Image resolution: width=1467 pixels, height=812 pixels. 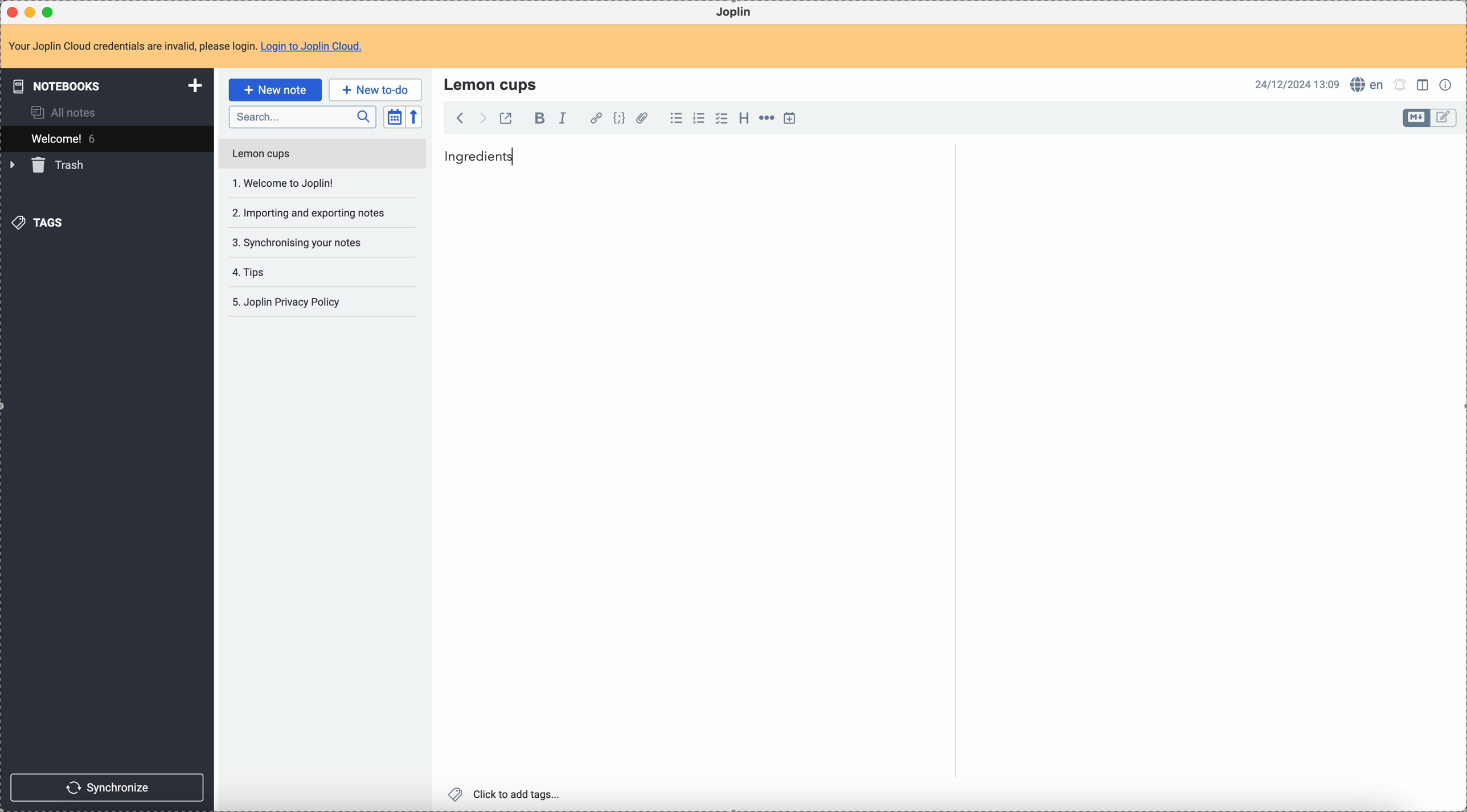 What do you see at coordinates (296, 241) in the screenshot?
I see `synchronising your notes` at bounding box center [296, 241].